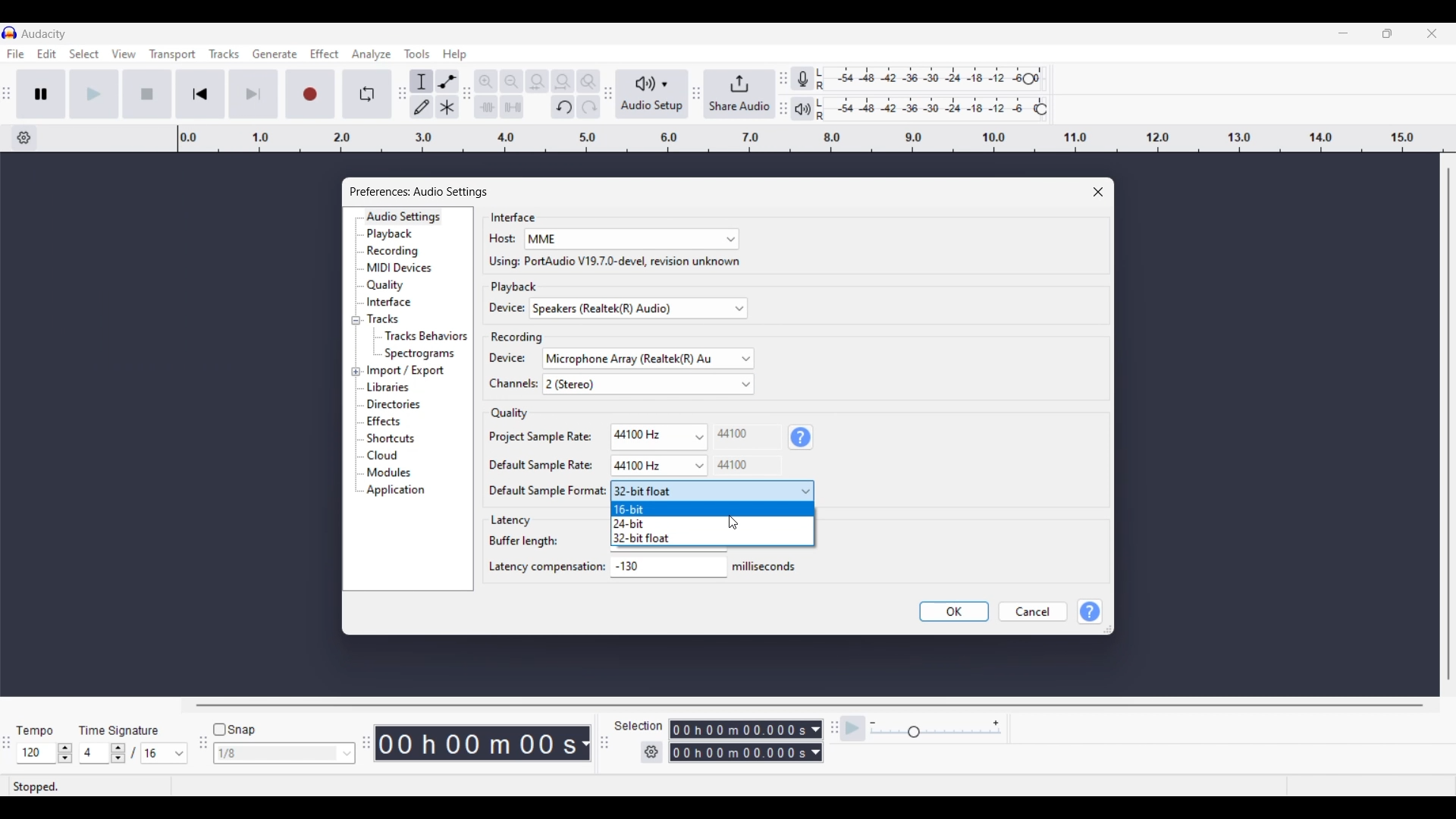 This screenshot has height=819, width=1456. What do you see at coordinates (739, 94) in the screenshot?
I see `Share audio` at bounding box center [739, 94].